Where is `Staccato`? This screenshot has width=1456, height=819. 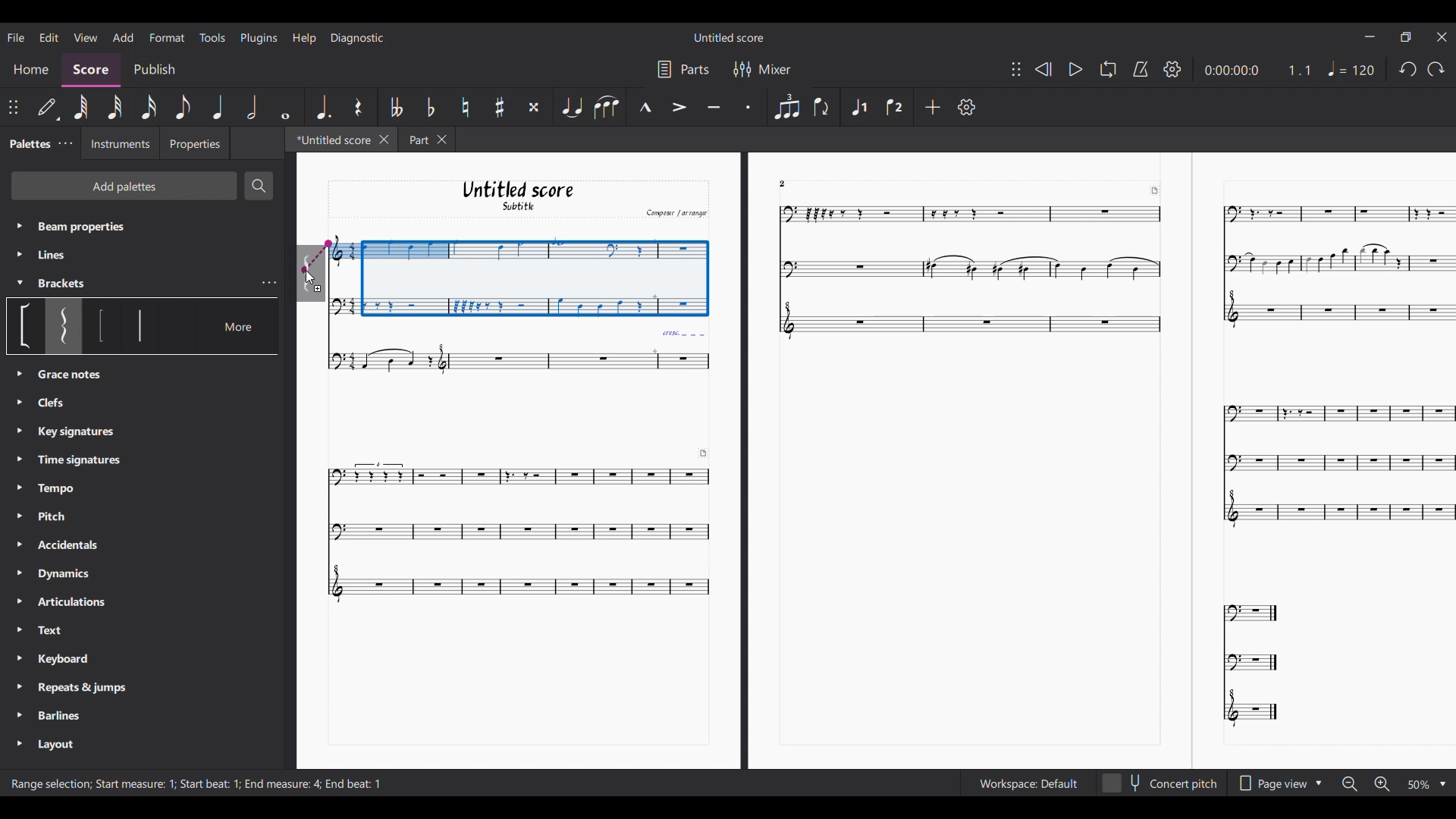 Staccato is located at coordinates (747, 106).